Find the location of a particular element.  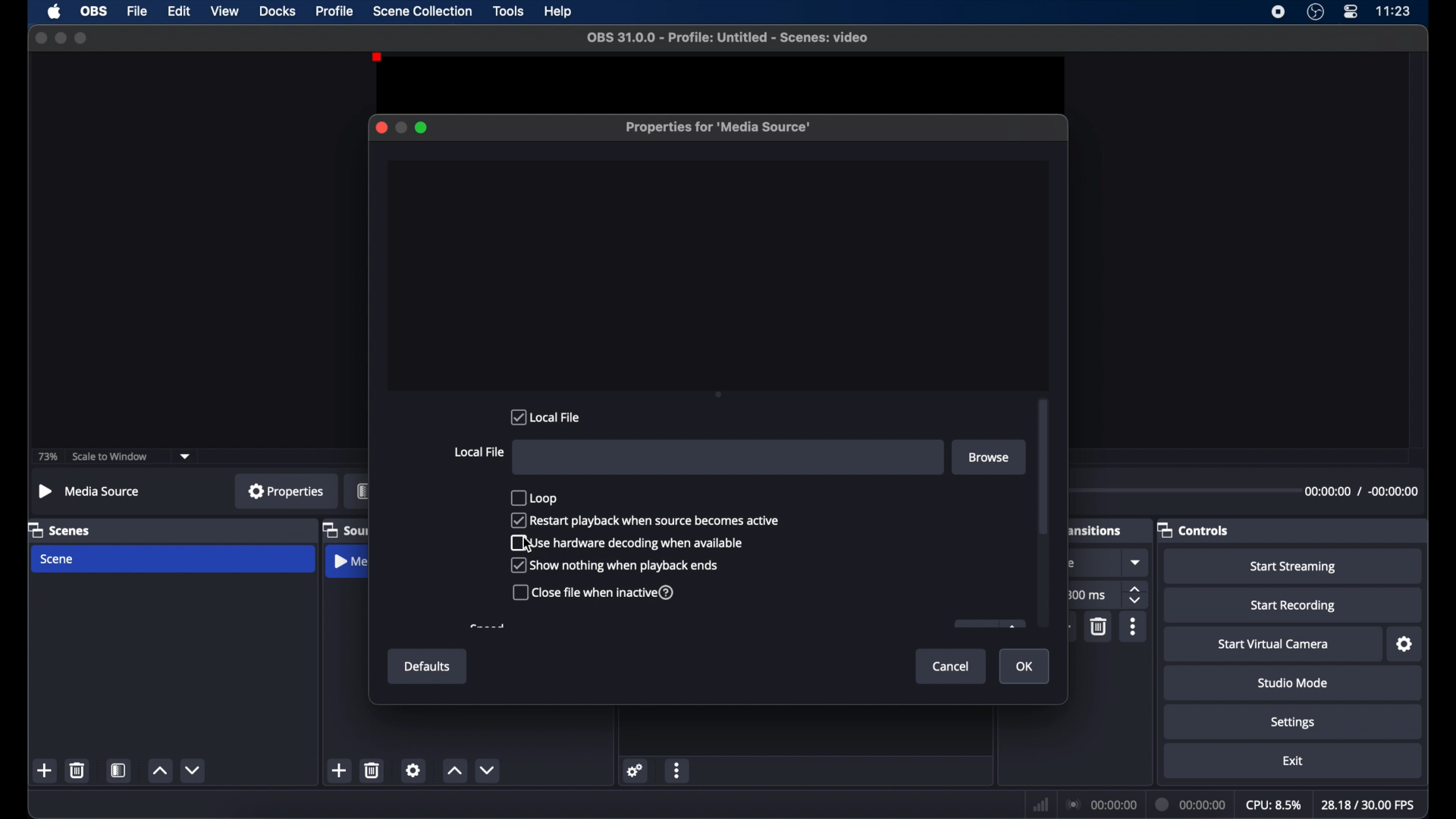

local file is located at coordinates (545, 416).